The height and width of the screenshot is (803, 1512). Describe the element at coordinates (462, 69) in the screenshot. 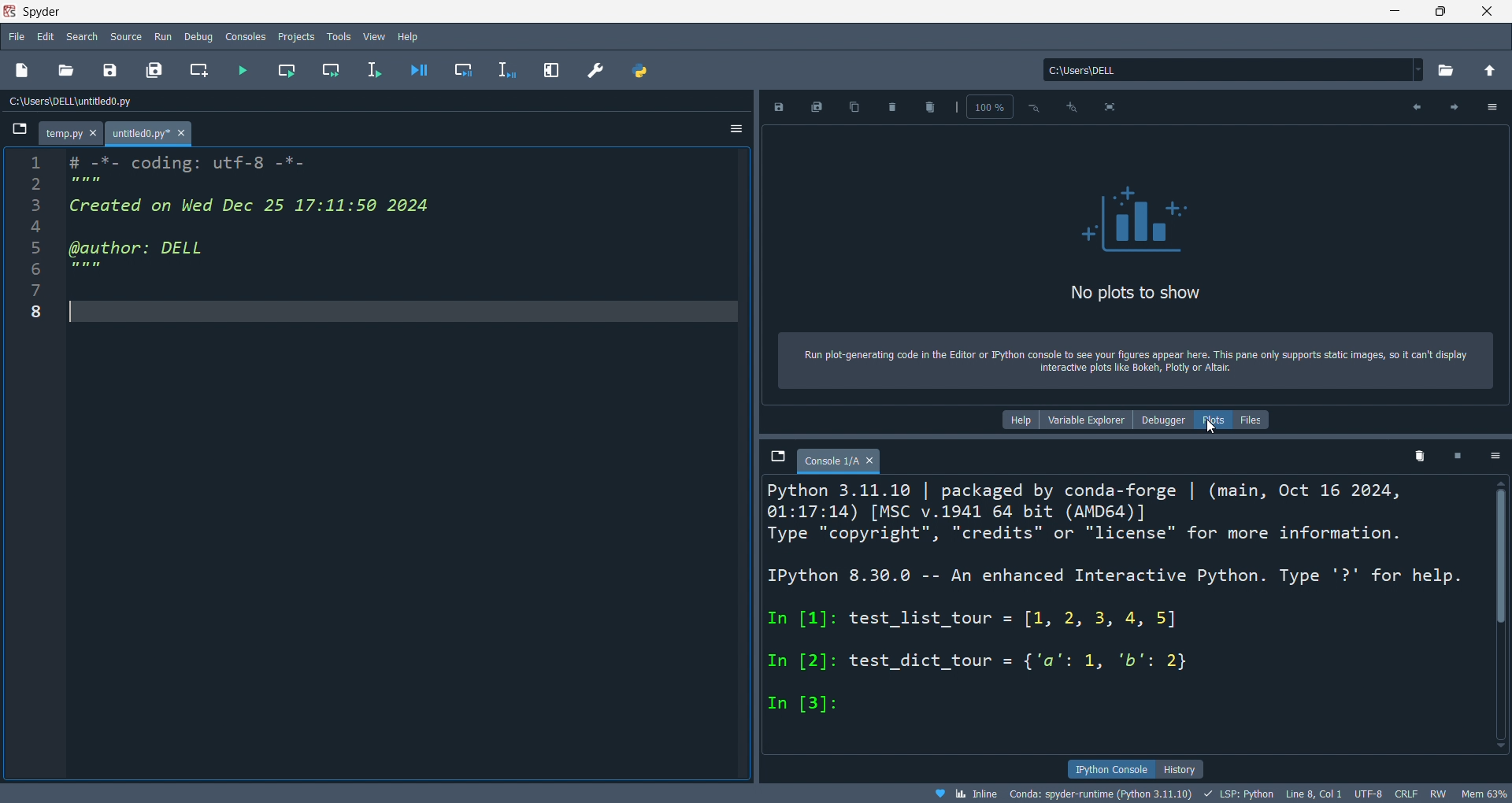

I see `debug cell` at that location.